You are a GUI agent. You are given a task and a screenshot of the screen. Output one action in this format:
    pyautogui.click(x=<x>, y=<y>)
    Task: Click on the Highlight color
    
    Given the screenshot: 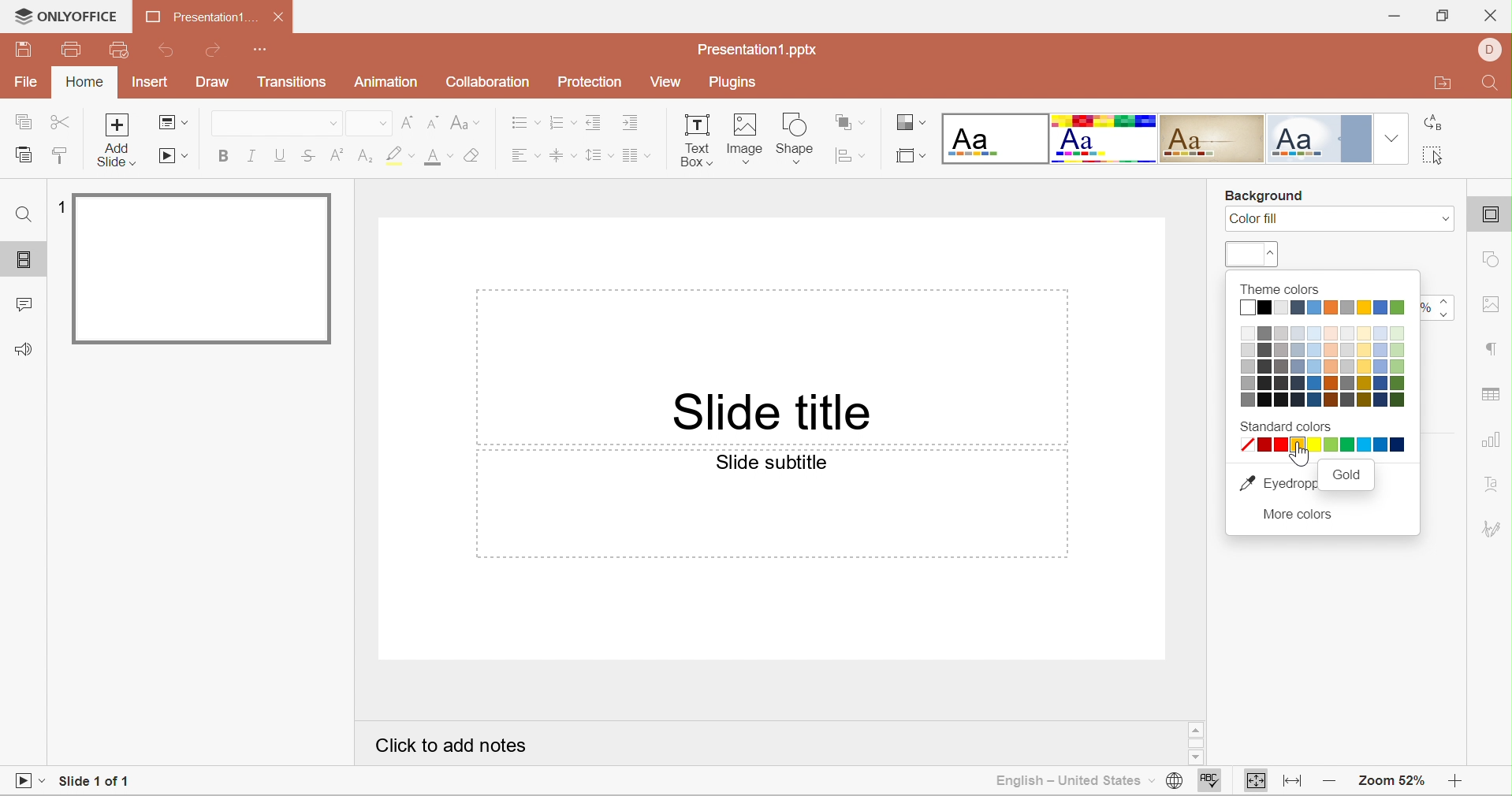 What is the action you would take?
    pyautogui.click(x=401, y=156)
    